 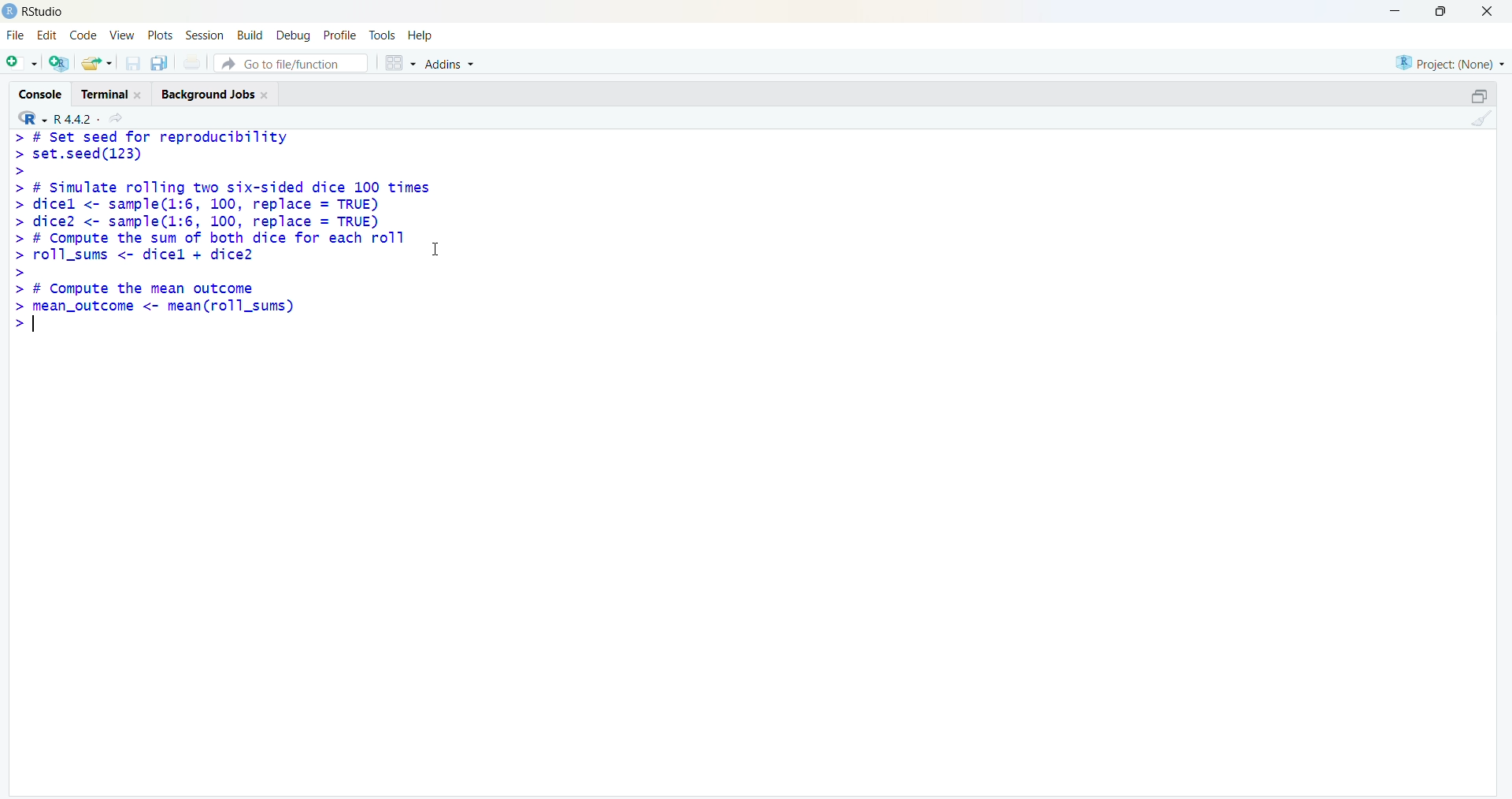 I want to click on share folder as, so click(x=96, y=63).